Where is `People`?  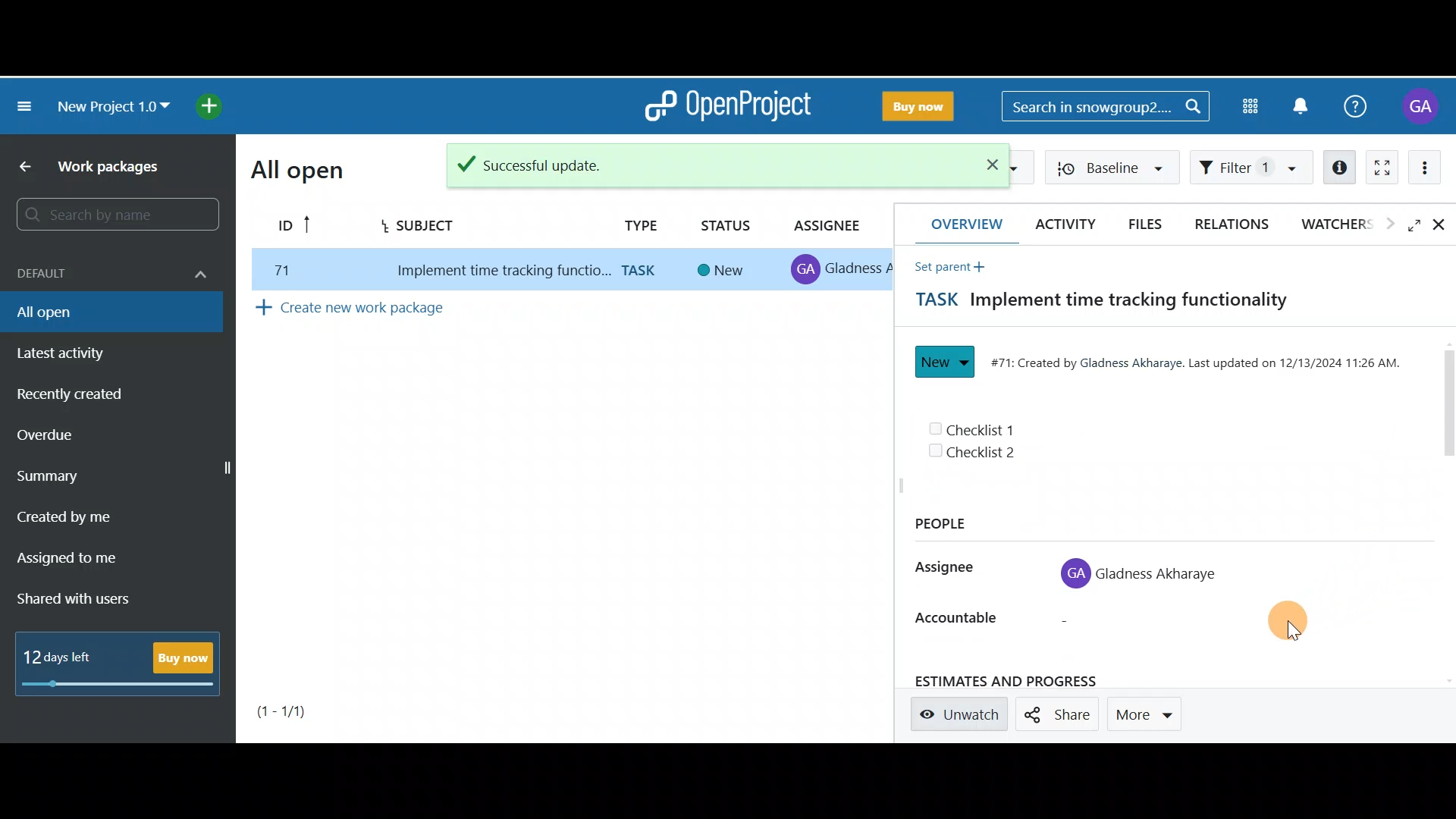
People is located at coordinates (978, 523).